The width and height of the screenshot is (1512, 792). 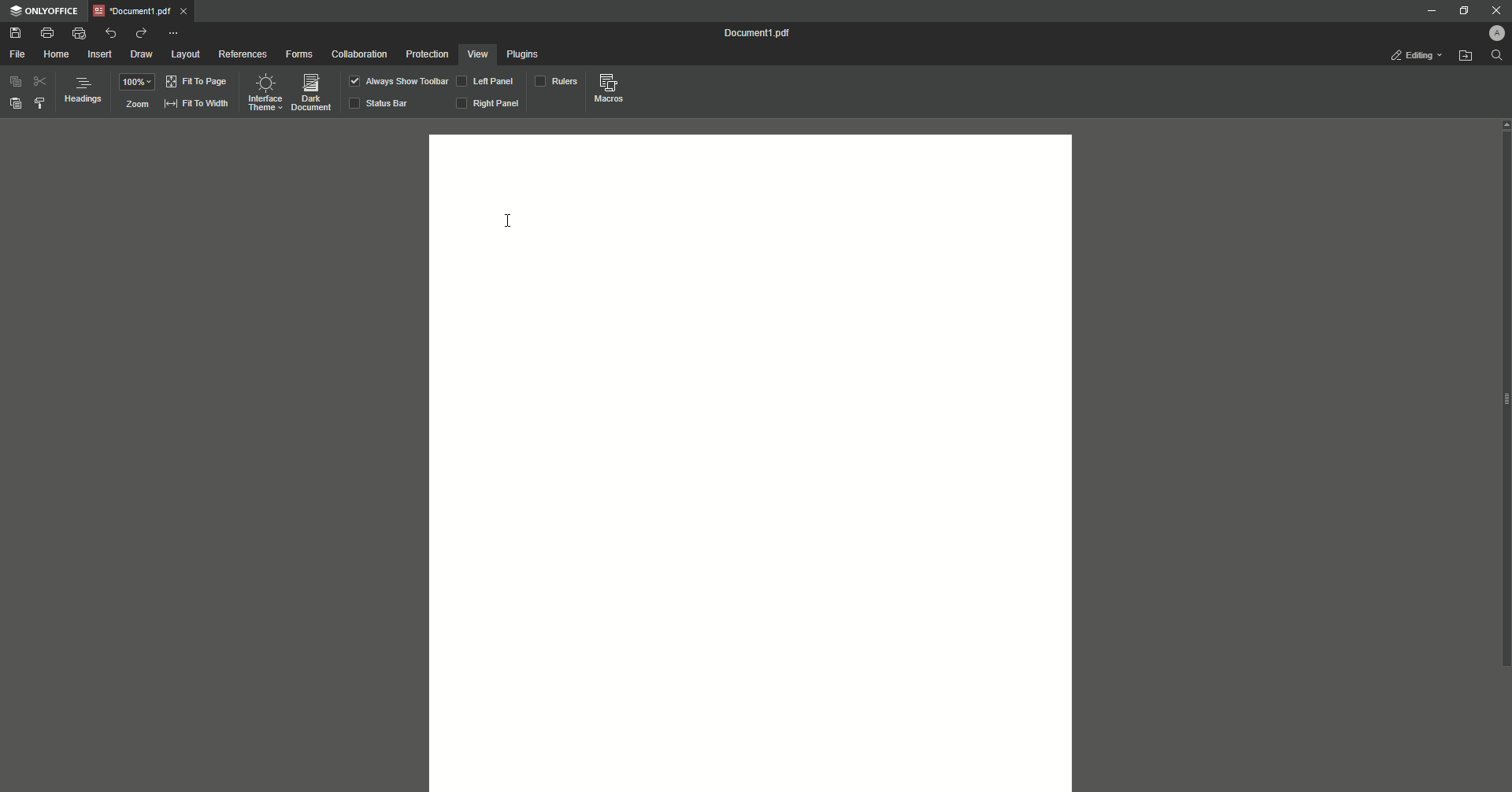 I want to click on Draw, so click(x=143, y=54).